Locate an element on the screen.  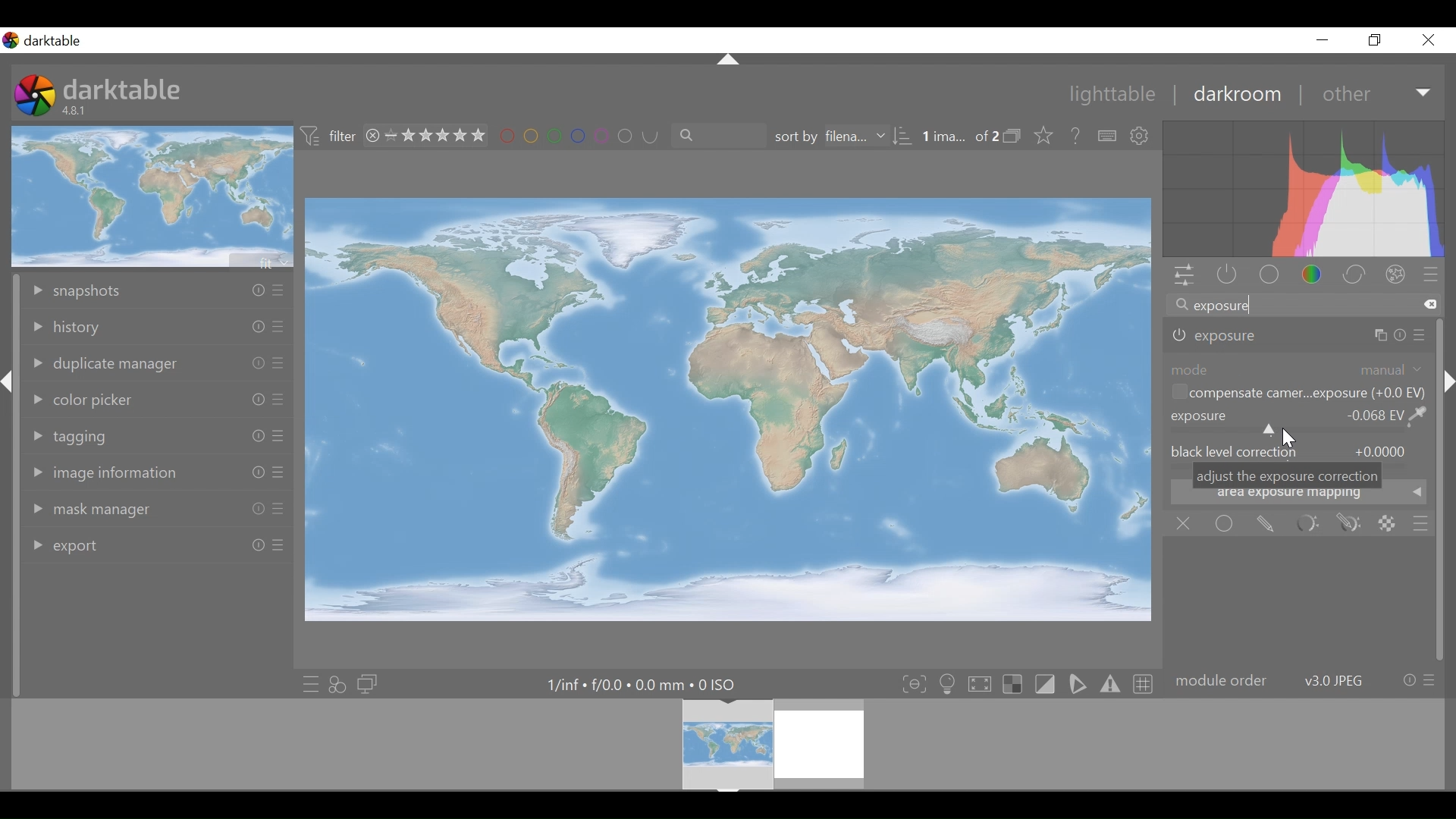
Minimize is located at coordinates (1323, 39).